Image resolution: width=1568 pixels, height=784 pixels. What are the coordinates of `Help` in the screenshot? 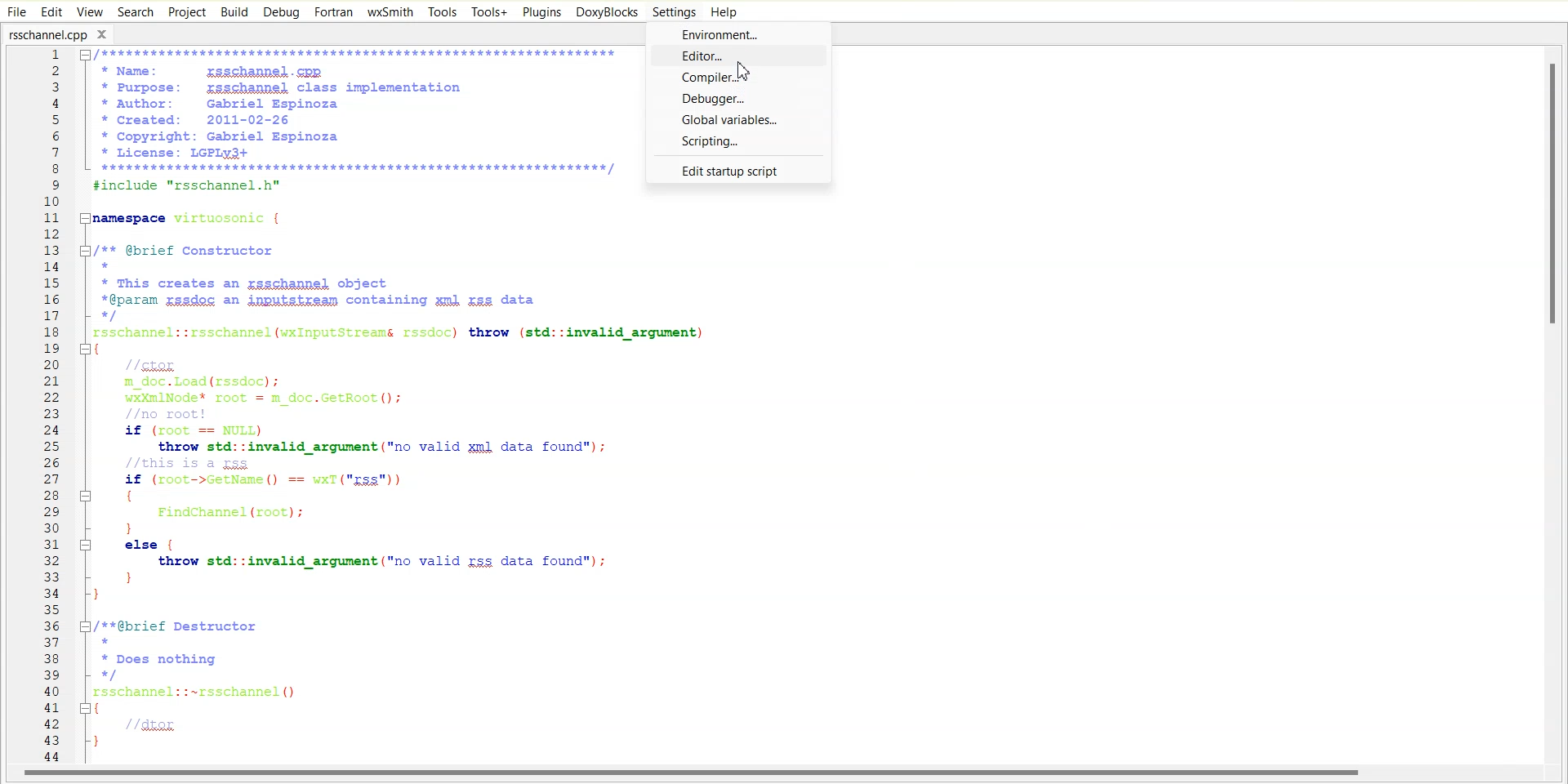 It's located at (724, 11).